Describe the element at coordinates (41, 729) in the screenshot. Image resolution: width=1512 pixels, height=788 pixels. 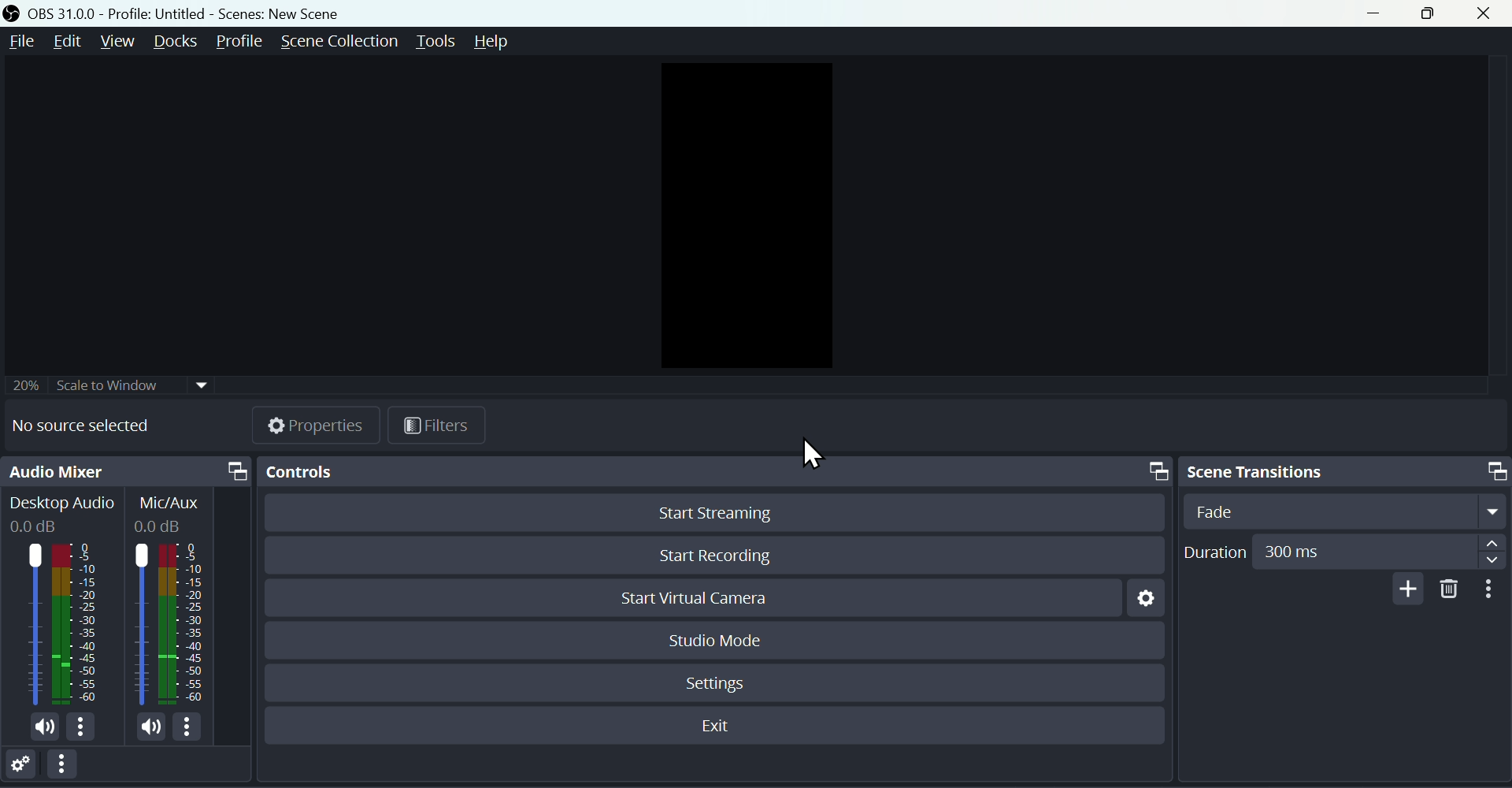
I see `volume` at that location.